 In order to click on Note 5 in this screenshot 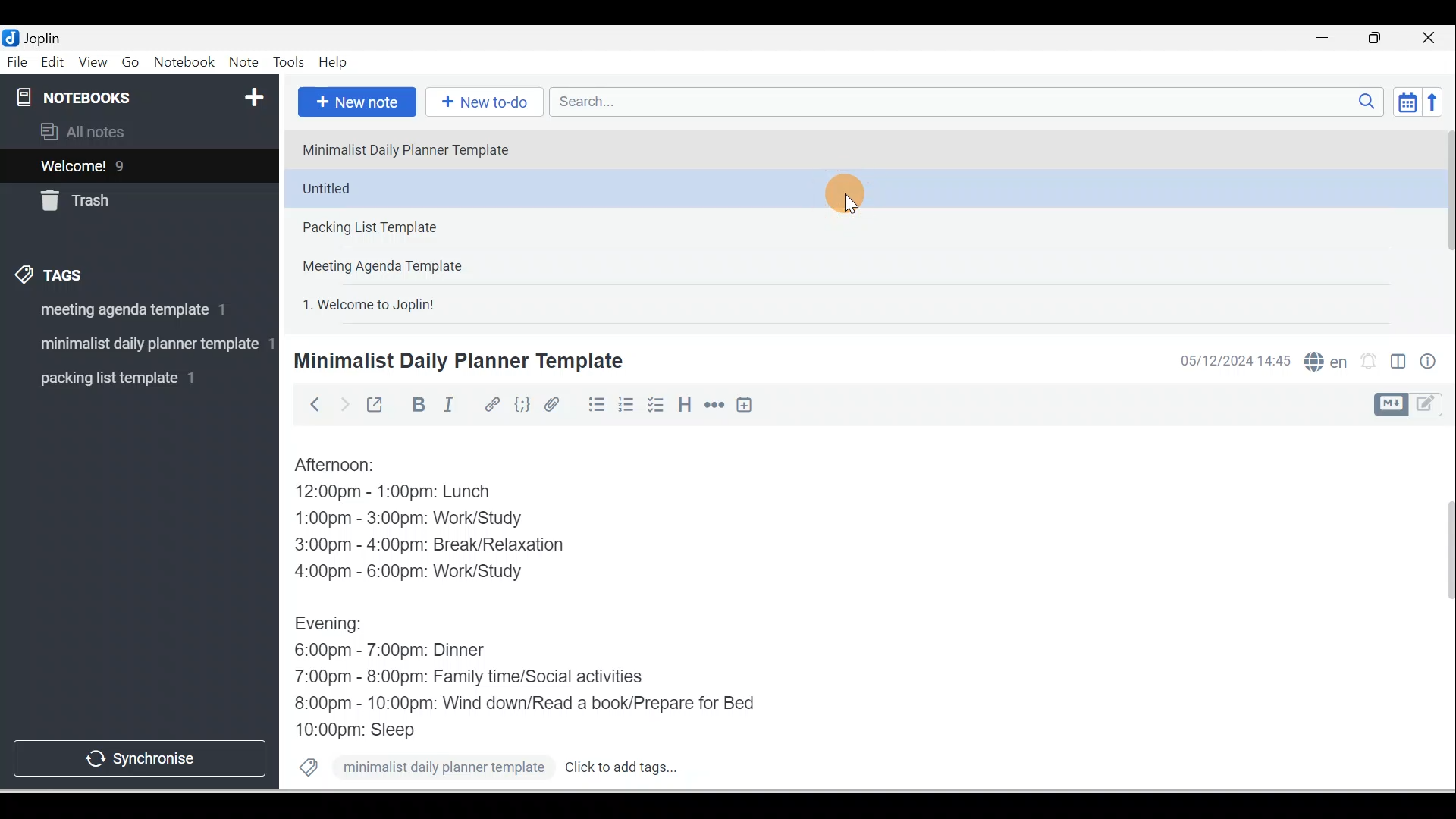, I will do `click(424, 303)`.